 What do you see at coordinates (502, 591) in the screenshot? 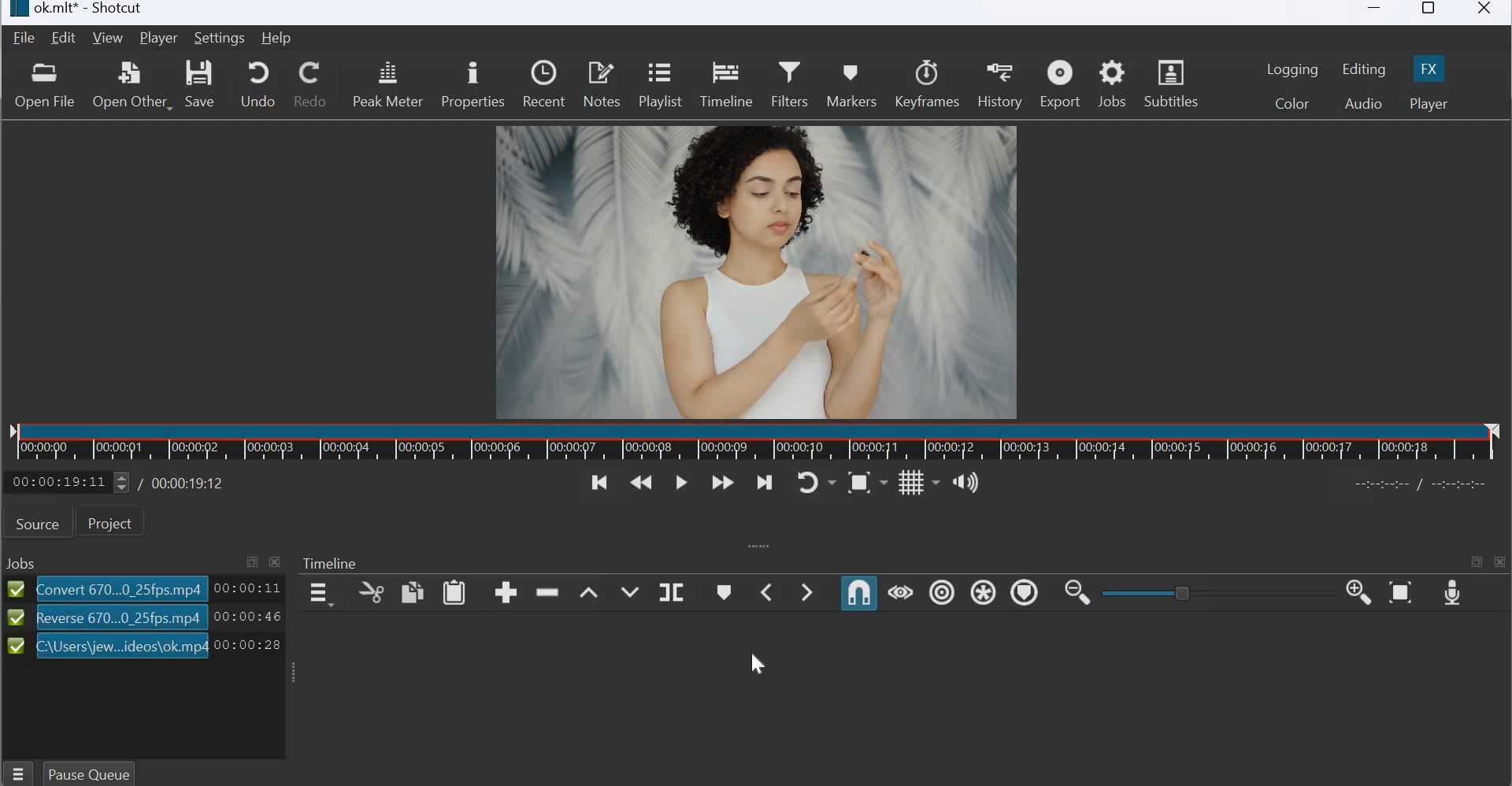
I see `append` at bounding box center [502, 591].